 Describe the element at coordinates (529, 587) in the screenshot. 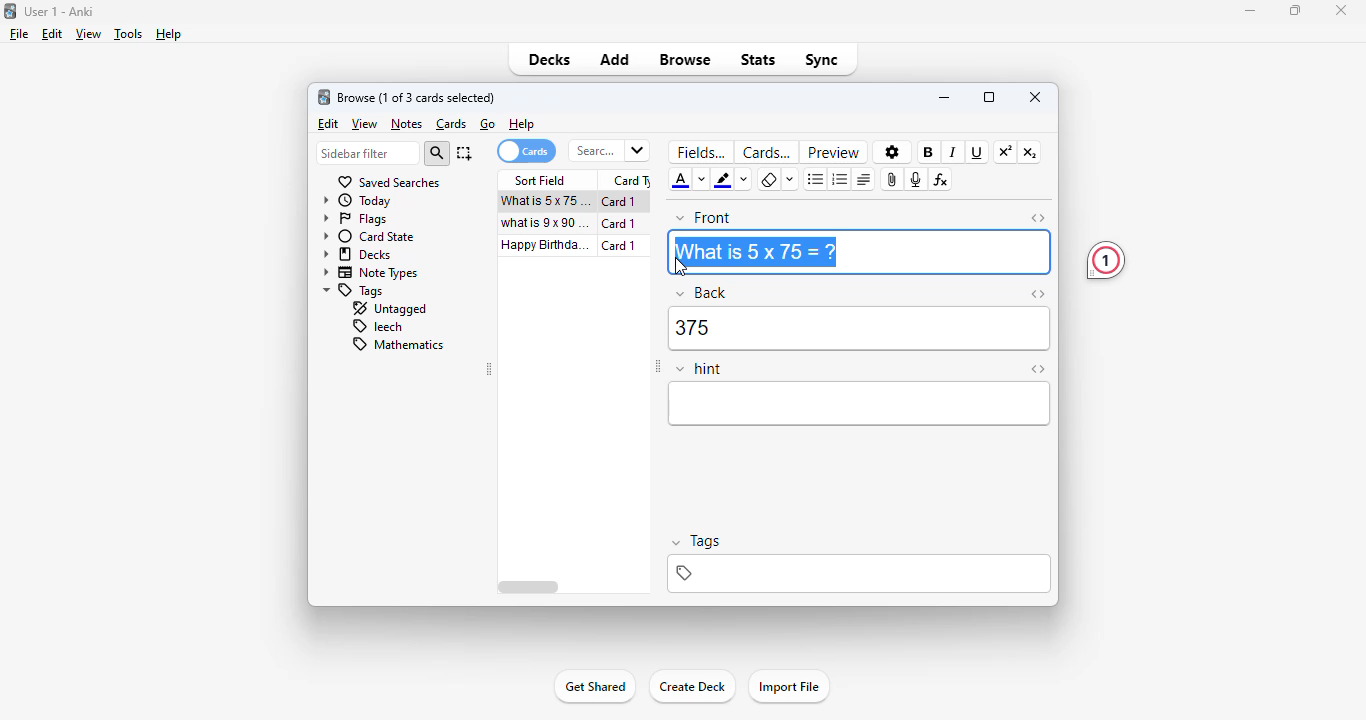

I see `horizontal scroll bar` at that location.